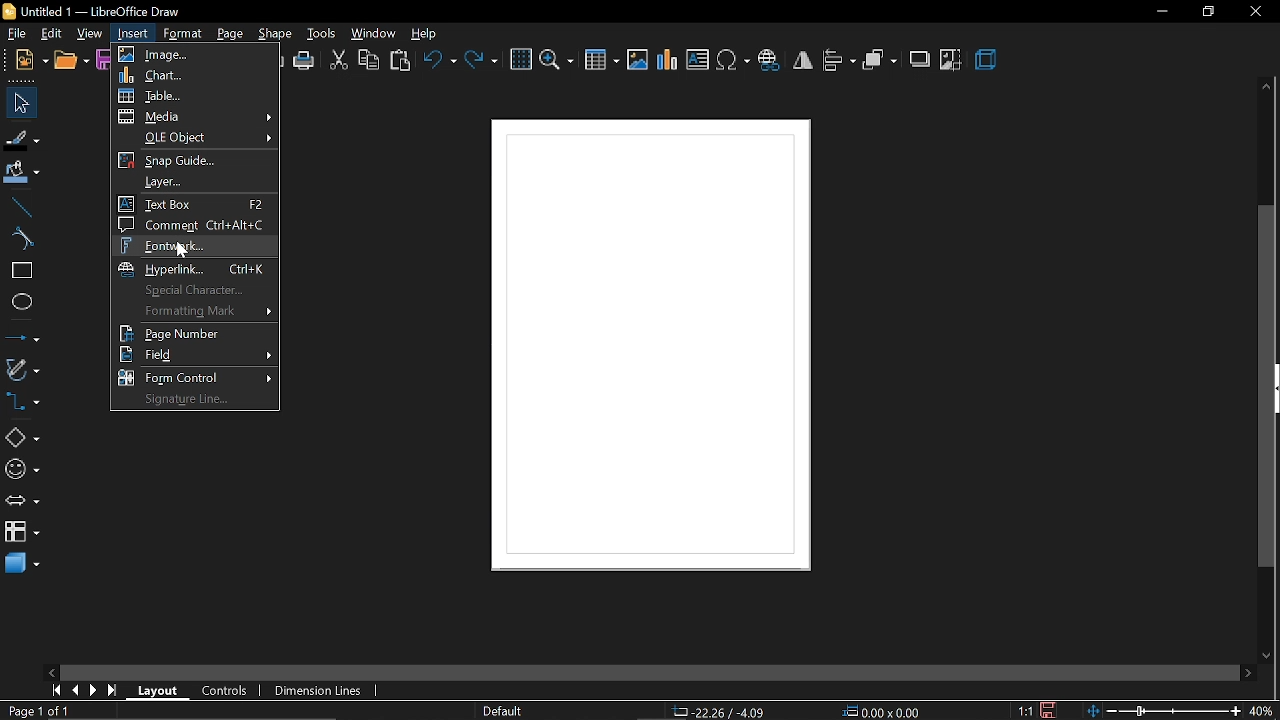  Describe the element at coordinates (230, 33) in the screenshot. I see `page` at that location.